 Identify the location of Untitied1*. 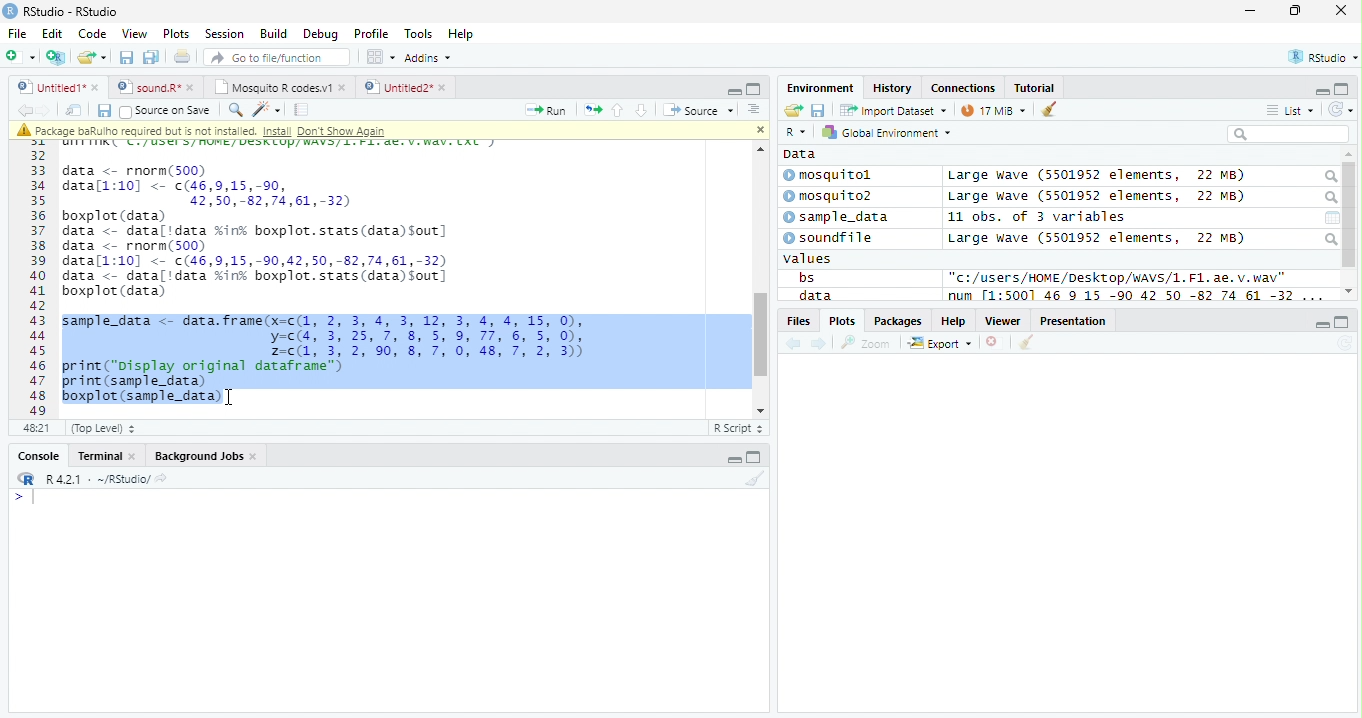
(58, 87).